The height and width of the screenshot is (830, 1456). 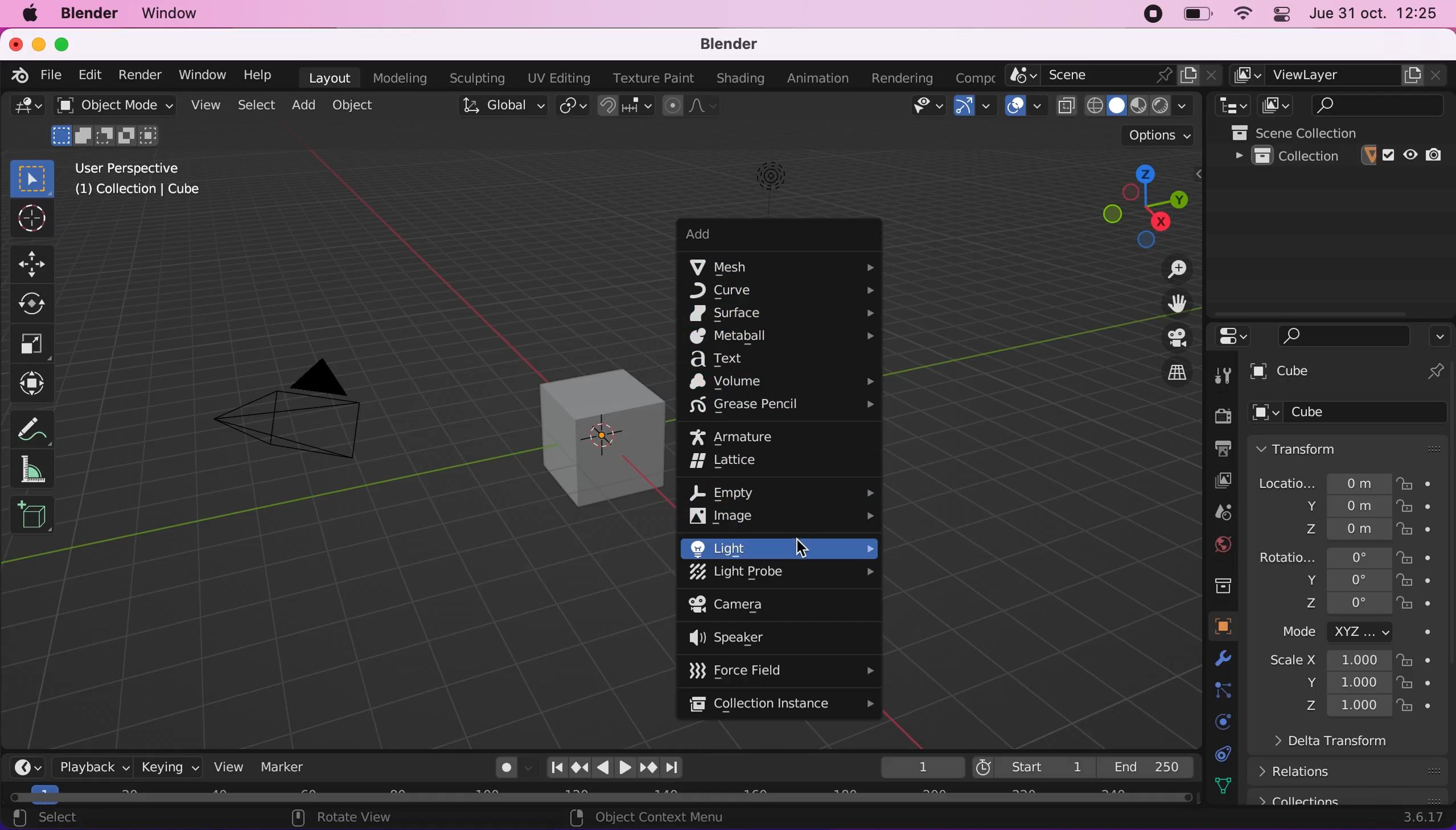 What do you see at coordinates (325, 77) in the screenshot?
I see `layout` at bounding box center [325, 77].